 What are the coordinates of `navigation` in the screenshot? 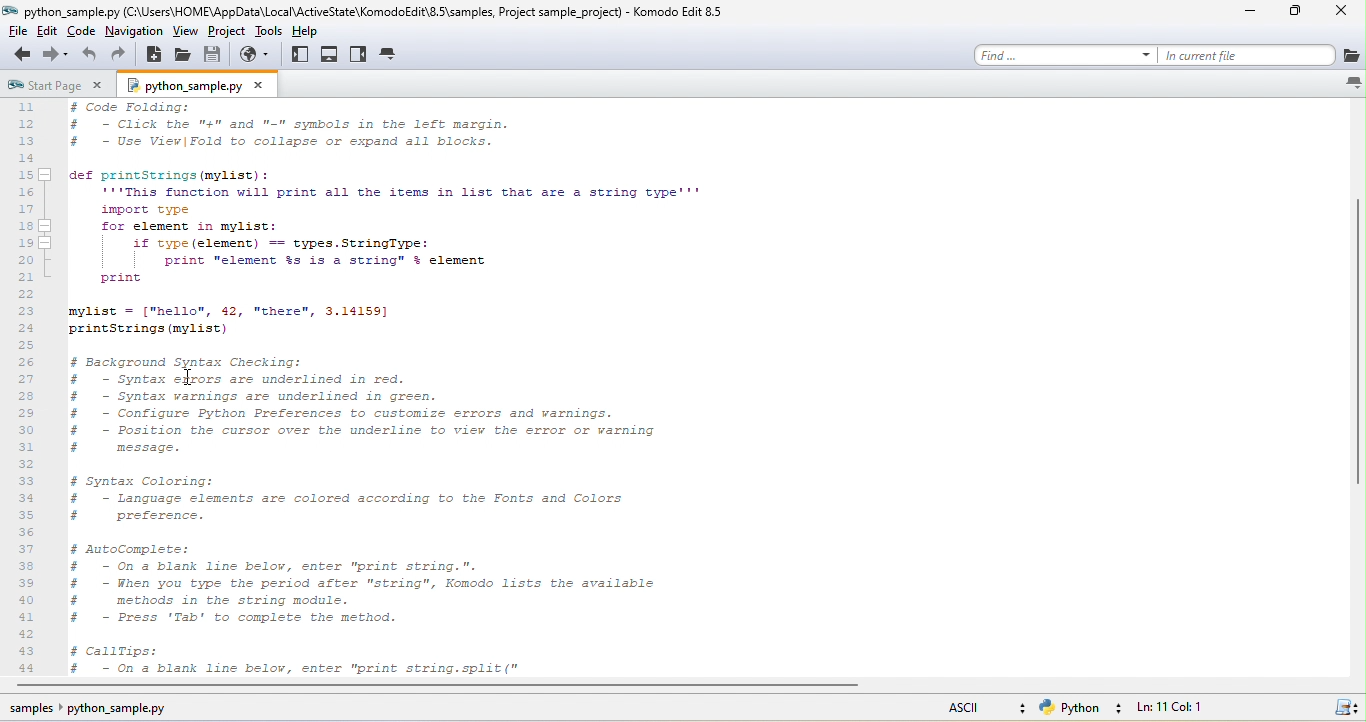 It's located at (132, 36).